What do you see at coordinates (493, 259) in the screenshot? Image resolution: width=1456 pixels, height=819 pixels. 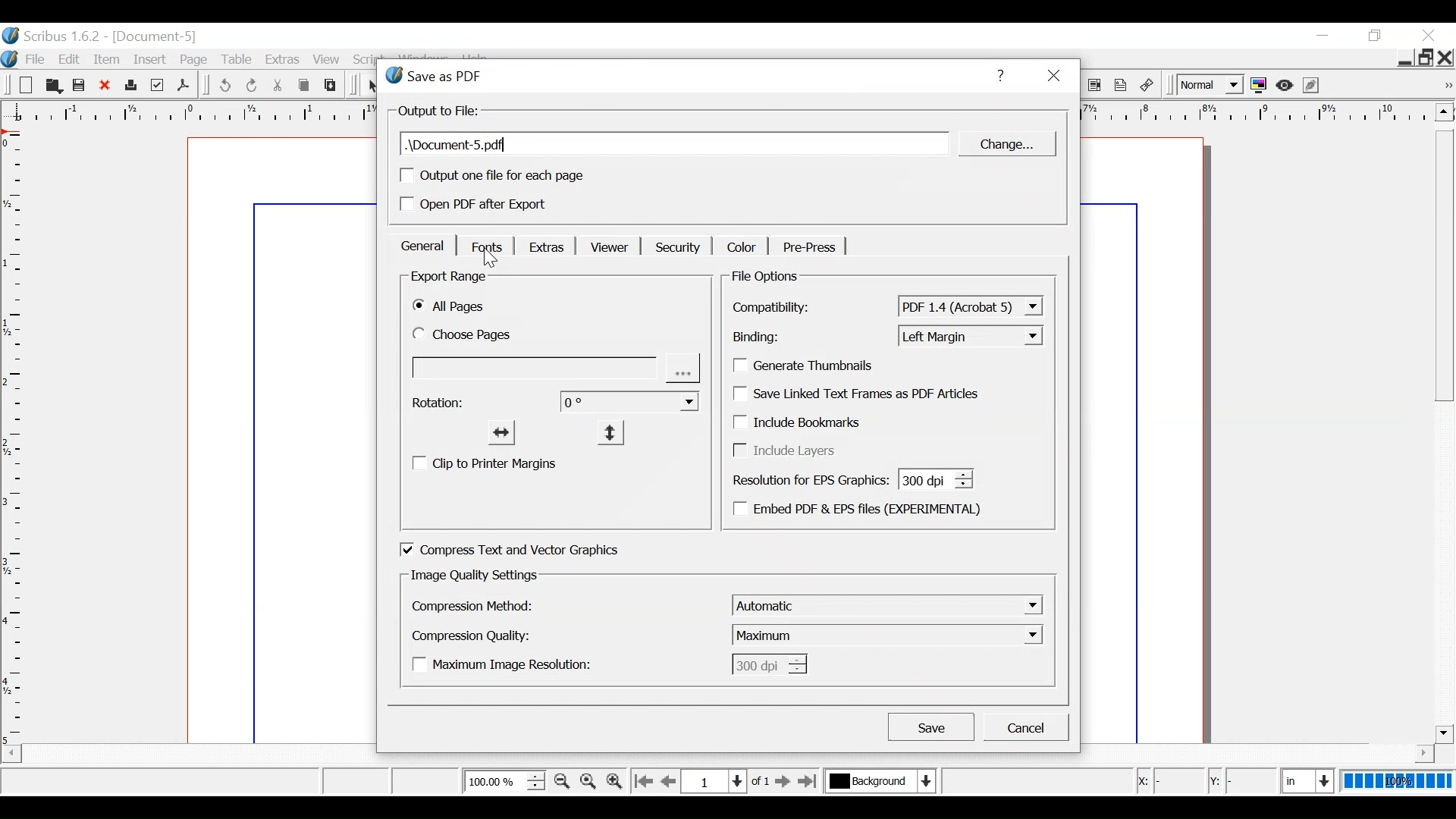 I see `Cursor` at bounding box center [493, 259].